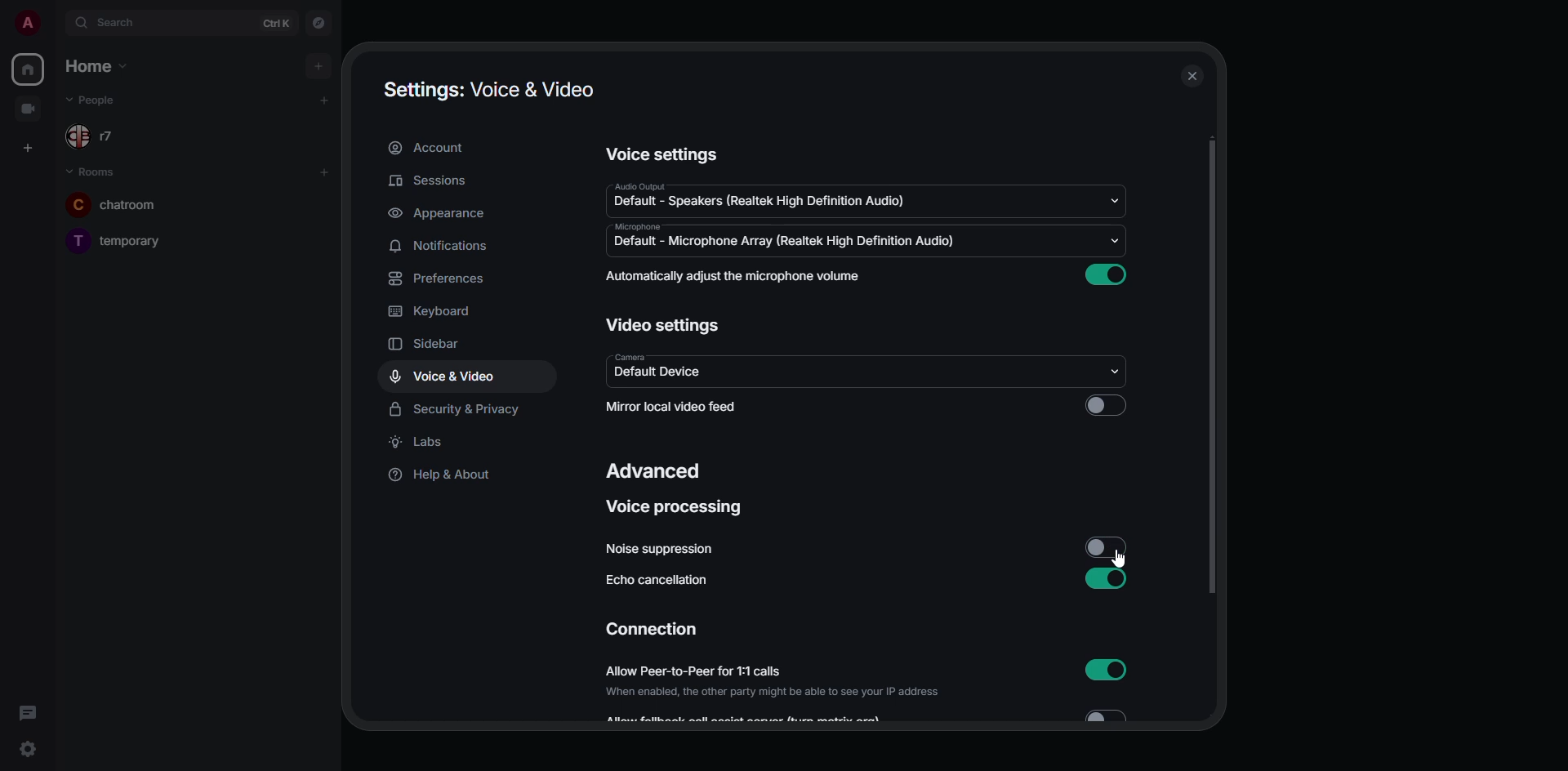 This screenshot has height=771, width=1568. I want to click on audio output, so click(638, 187).